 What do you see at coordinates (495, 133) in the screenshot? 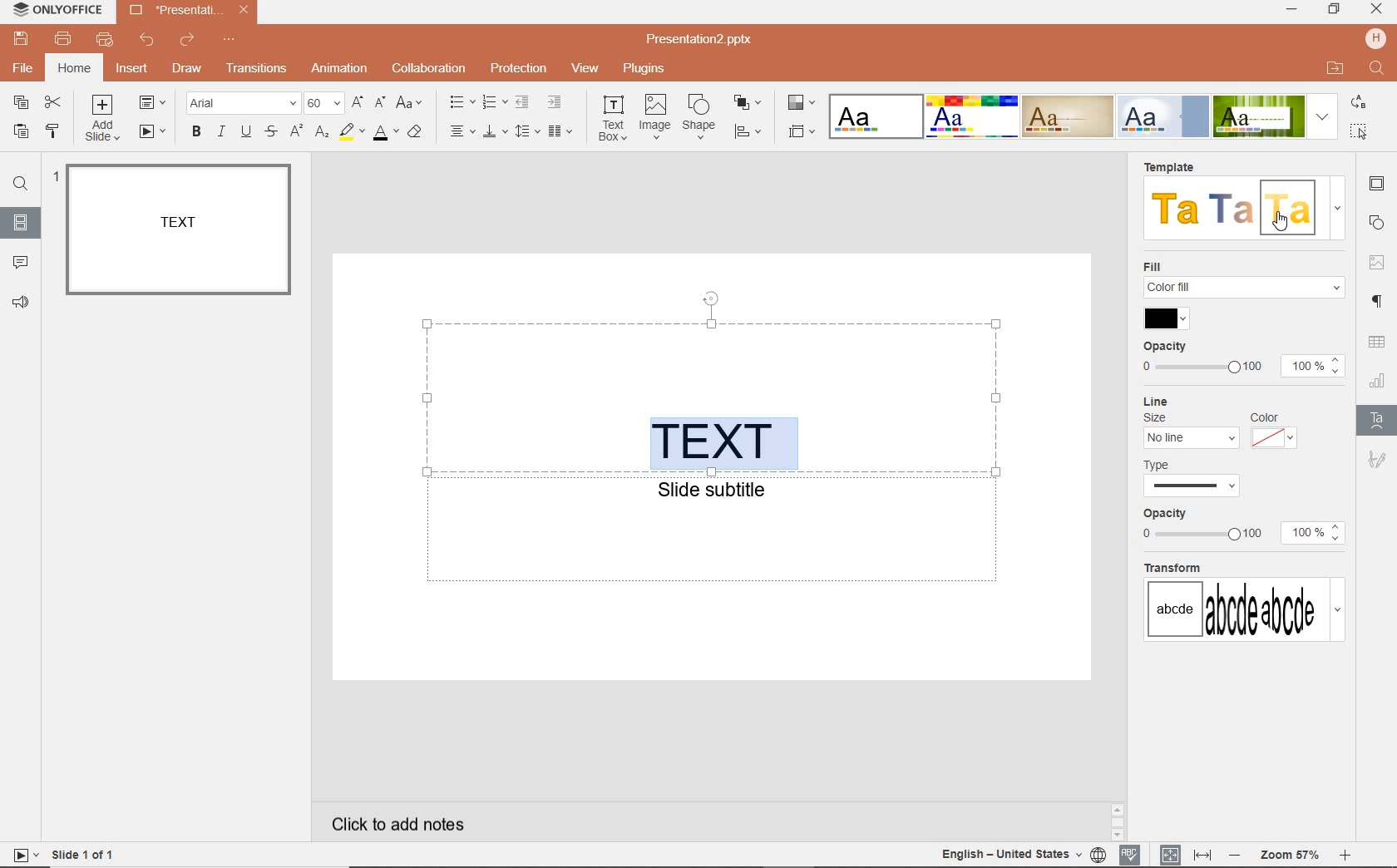
I see `VERTICAL ALIGN` at bounding box center [495, 133].